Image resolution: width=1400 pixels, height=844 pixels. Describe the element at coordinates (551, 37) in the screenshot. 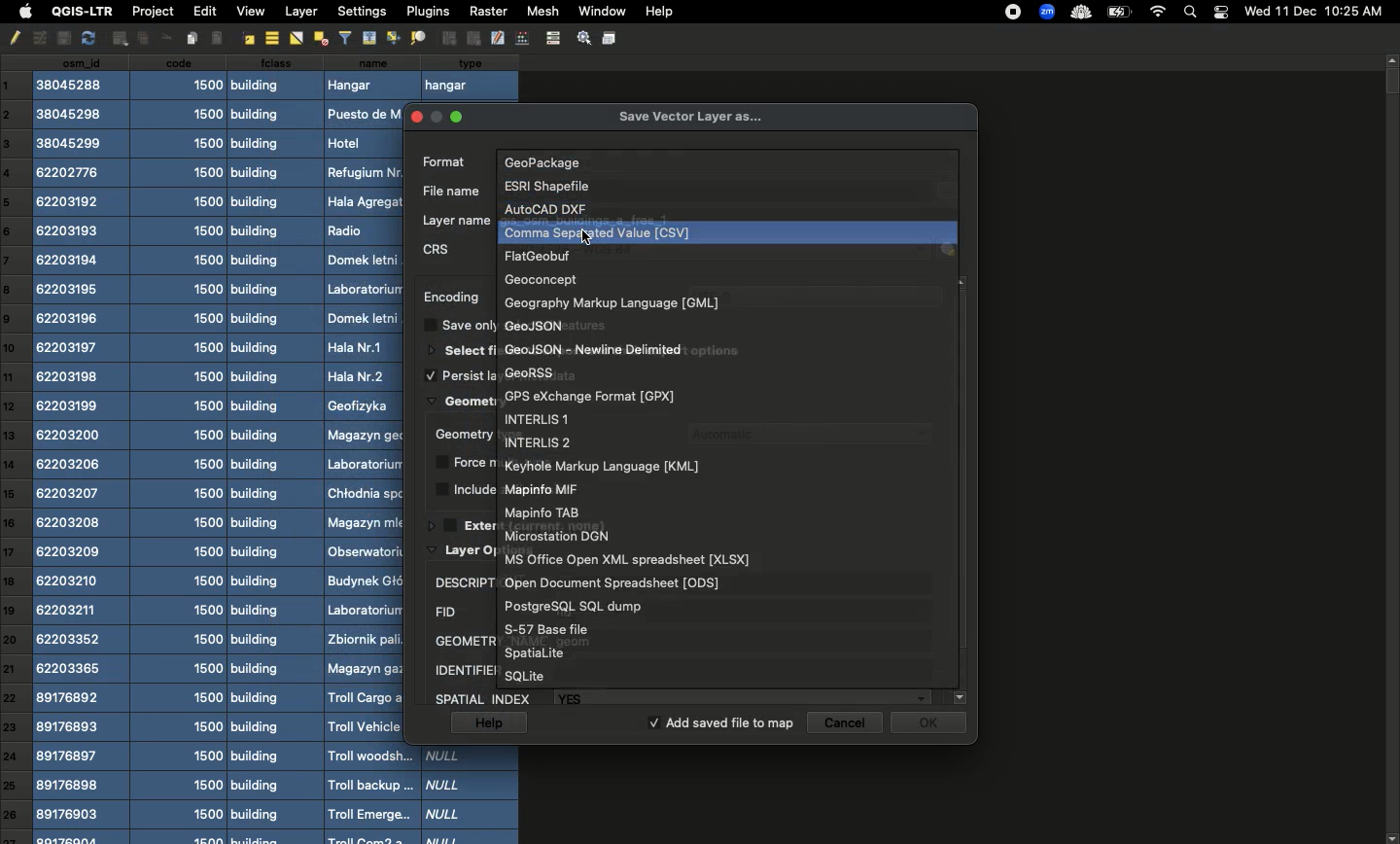

I see `control bar` at that location.